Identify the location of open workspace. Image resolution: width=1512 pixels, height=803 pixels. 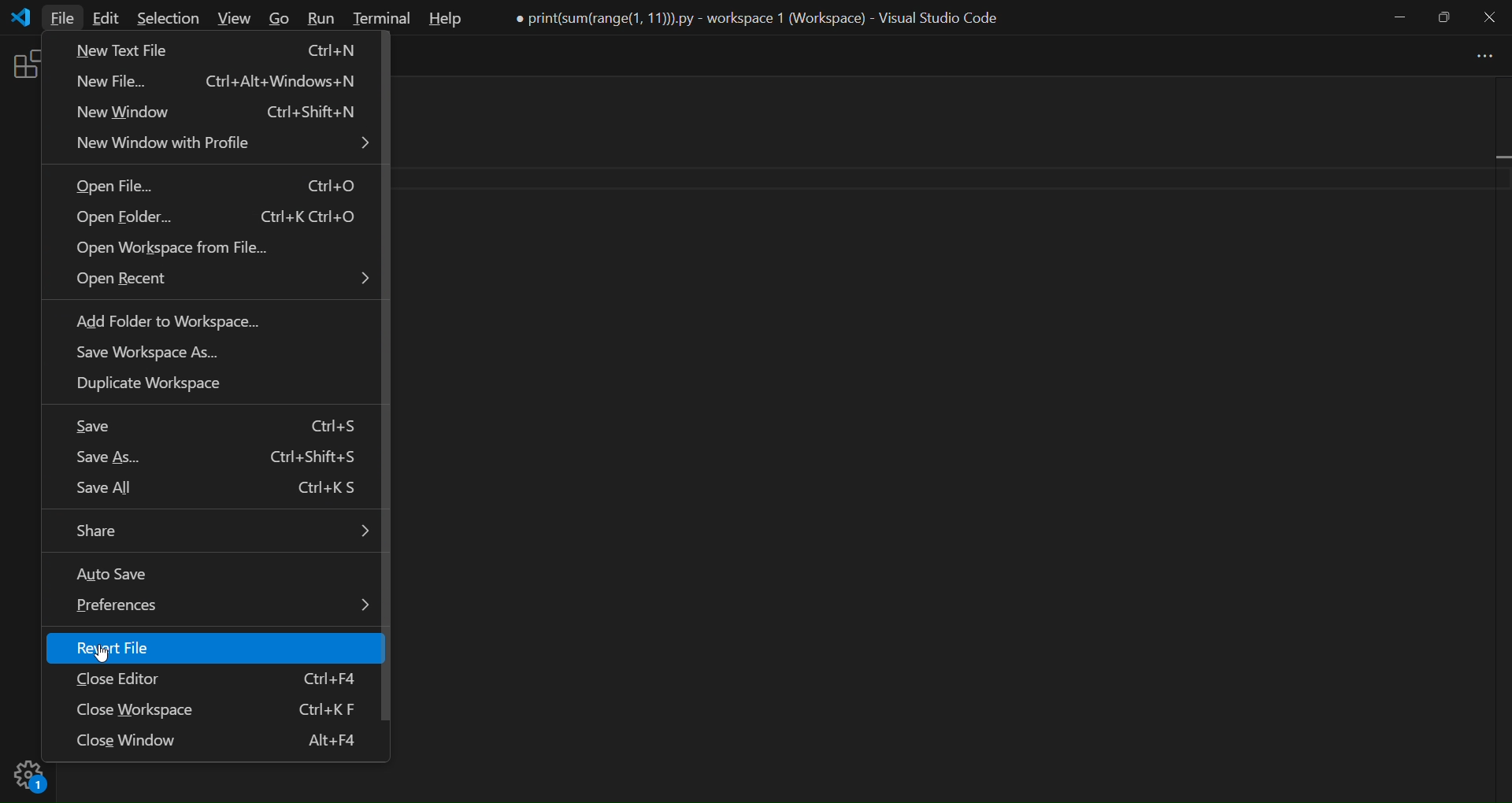
(172, 250).